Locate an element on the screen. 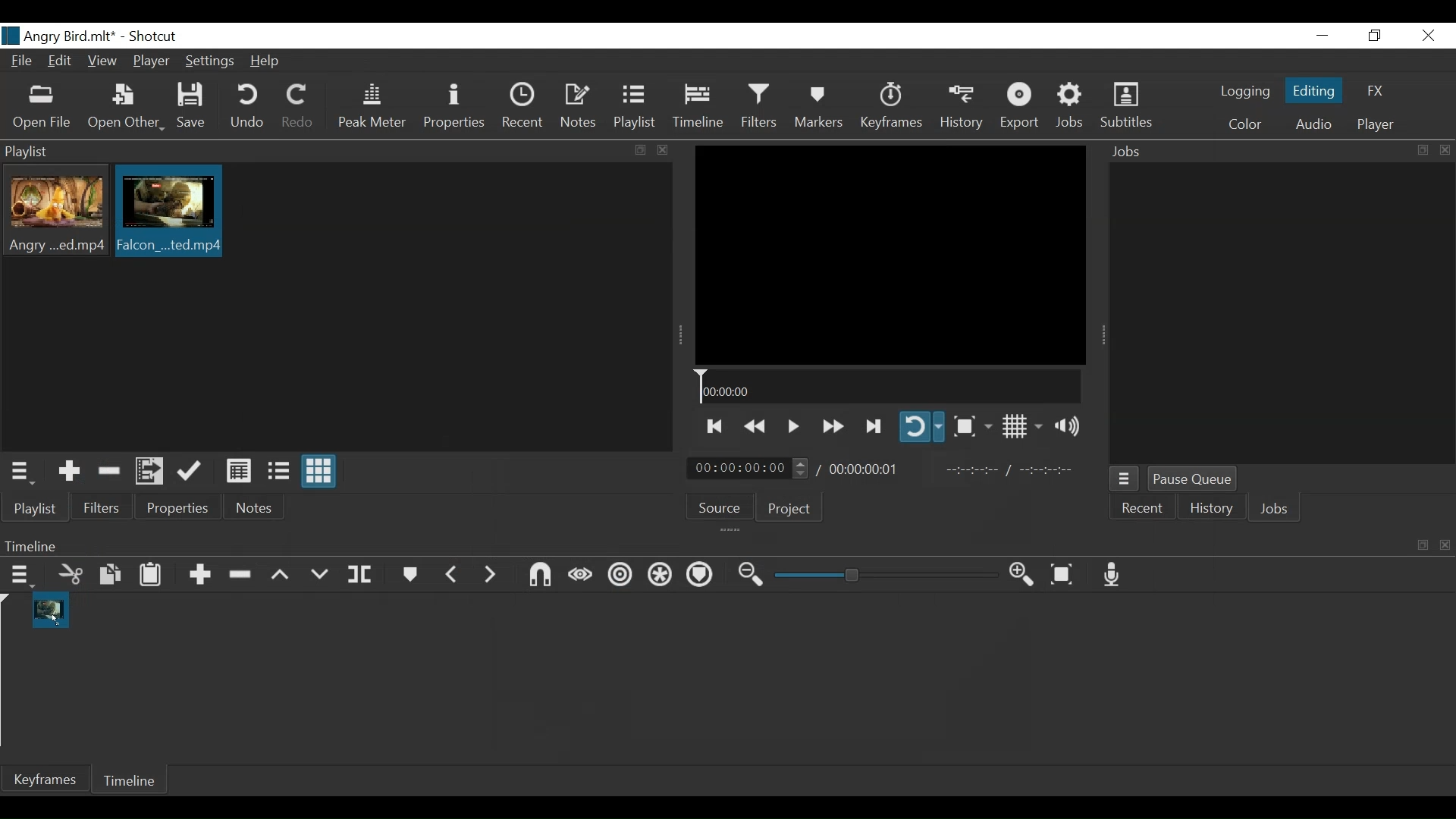 The height and width of the screenshot is (819, 1456). Playlist Panel is located at coordinates (308, 150).